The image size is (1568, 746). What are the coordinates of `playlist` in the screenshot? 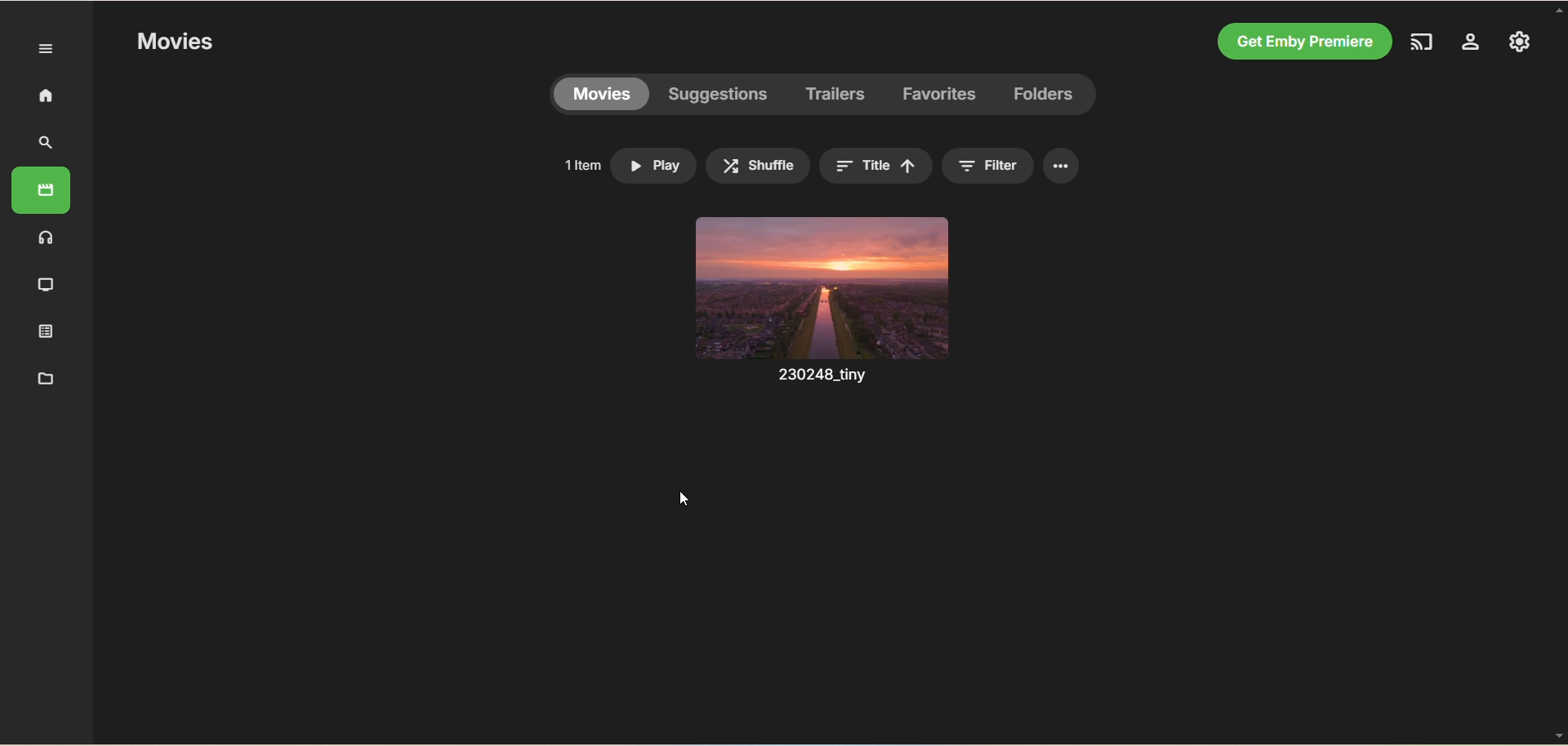 It's located at (42, 332).